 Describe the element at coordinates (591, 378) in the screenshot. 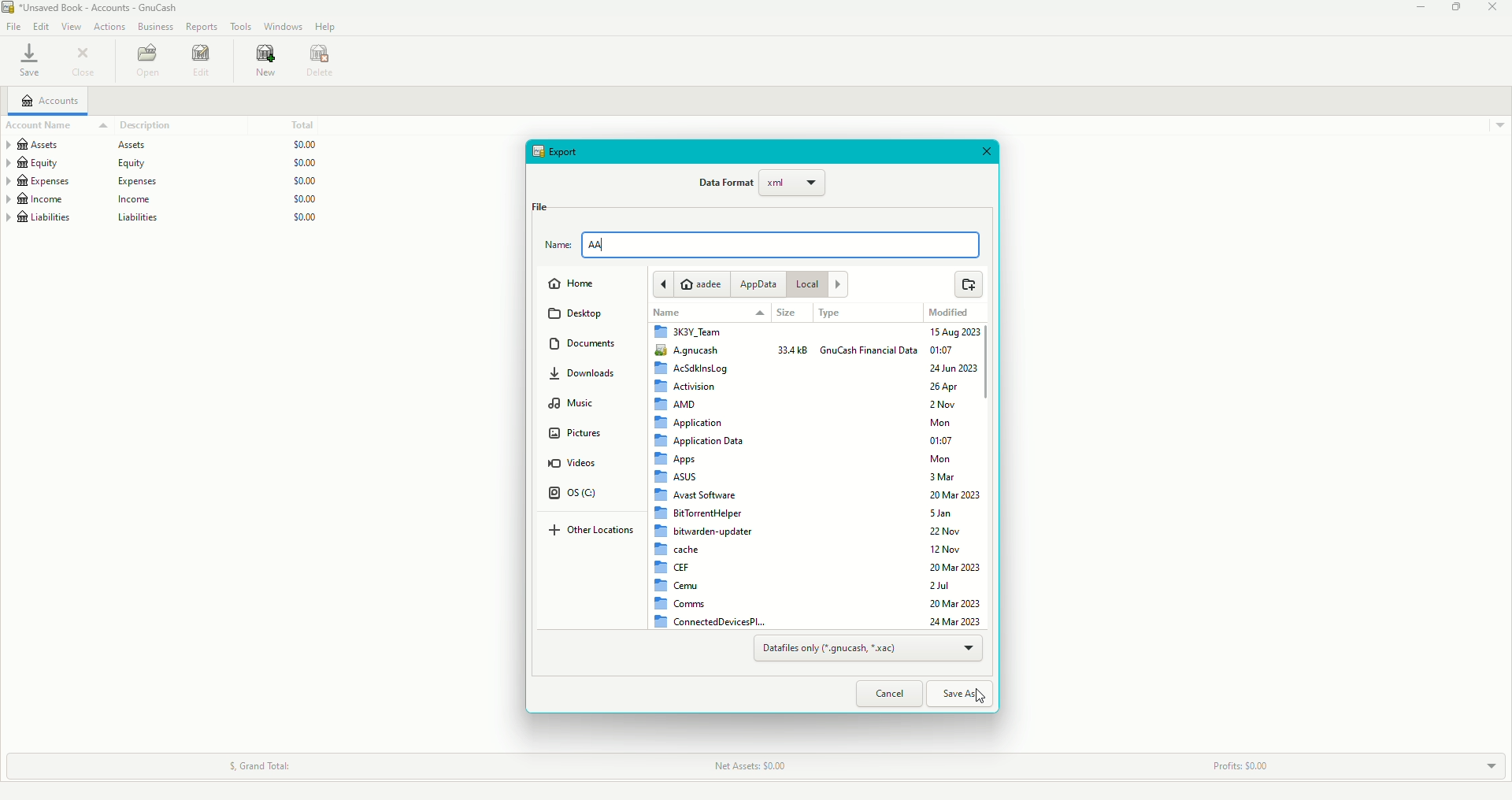

I see `Downloads` at that location.